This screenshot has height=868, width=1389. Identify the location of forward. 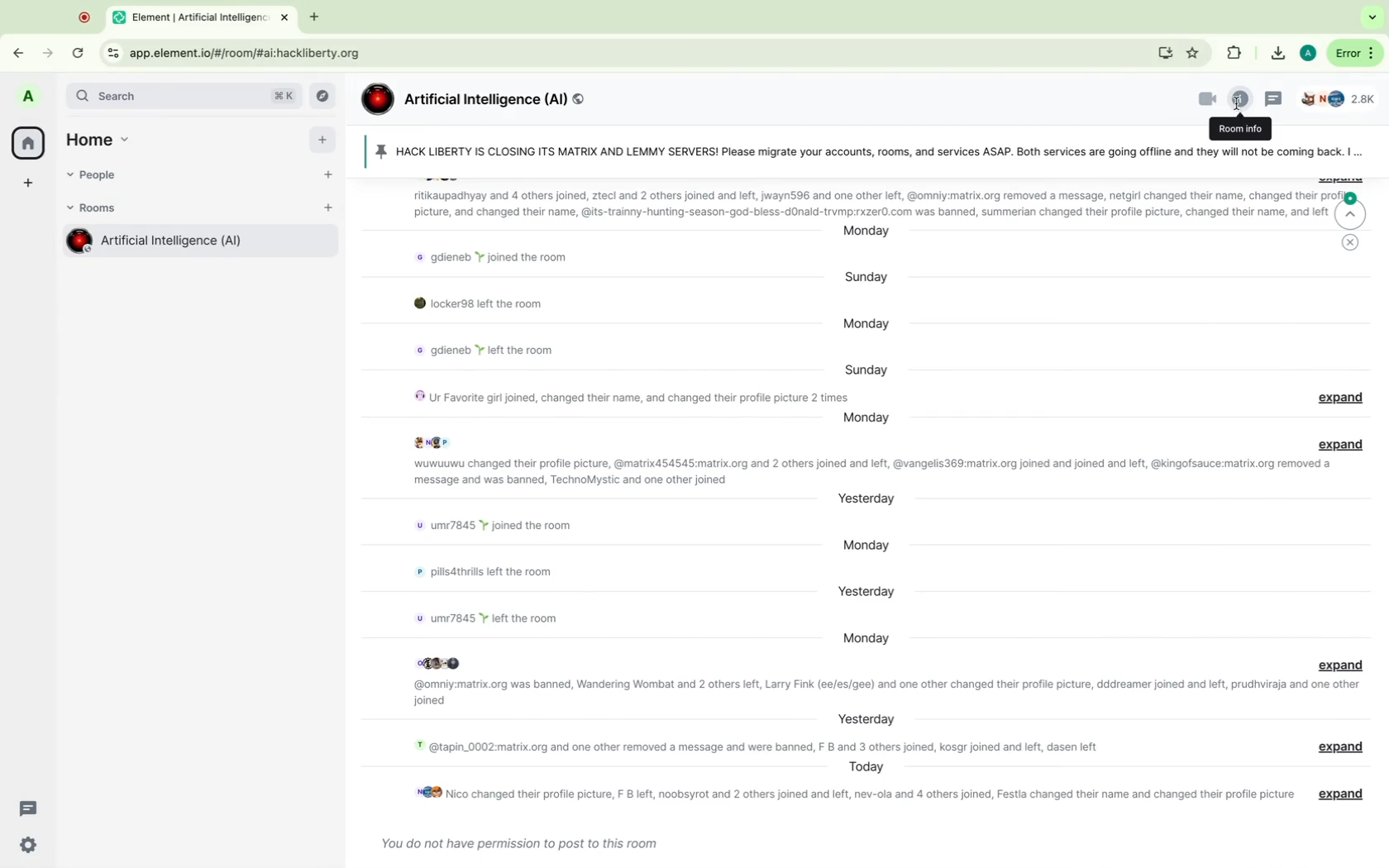
(45, 48).